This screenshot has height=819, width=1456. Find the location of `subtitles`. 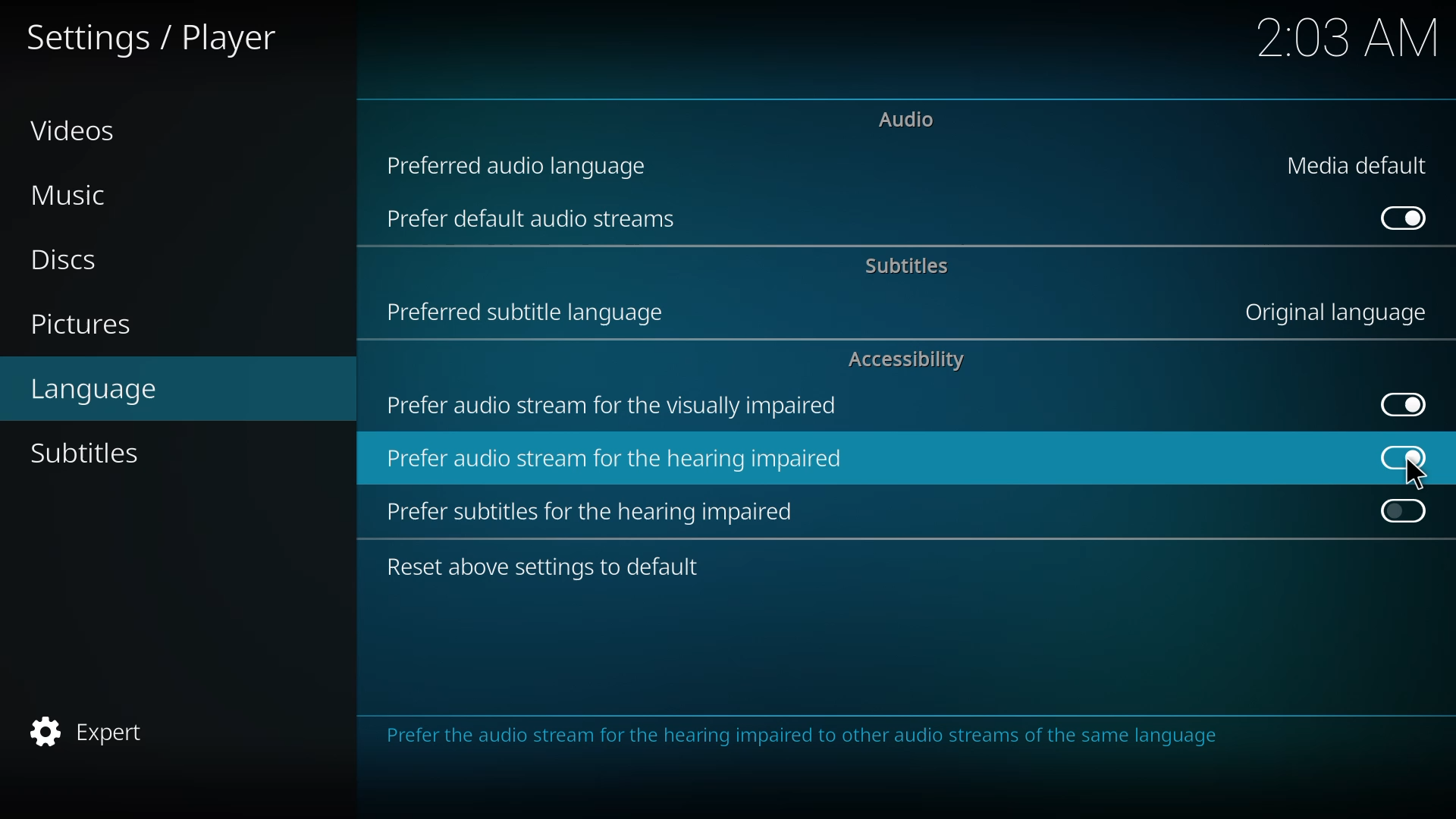

subtitles is located at coordinates (904, 267).